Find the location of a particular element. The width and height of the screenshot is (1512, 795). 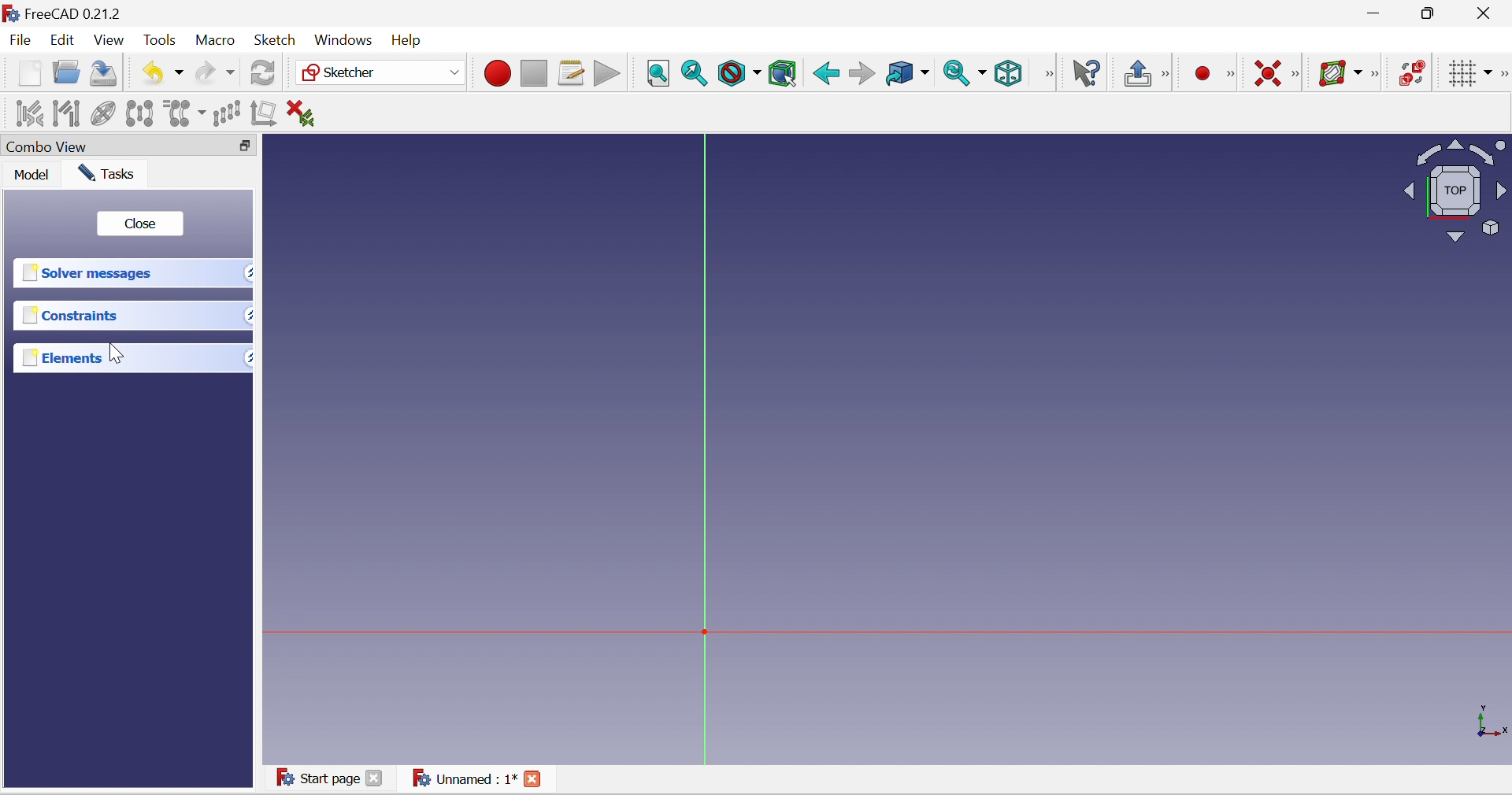

Fit selection is located at coordinates (693, 72).